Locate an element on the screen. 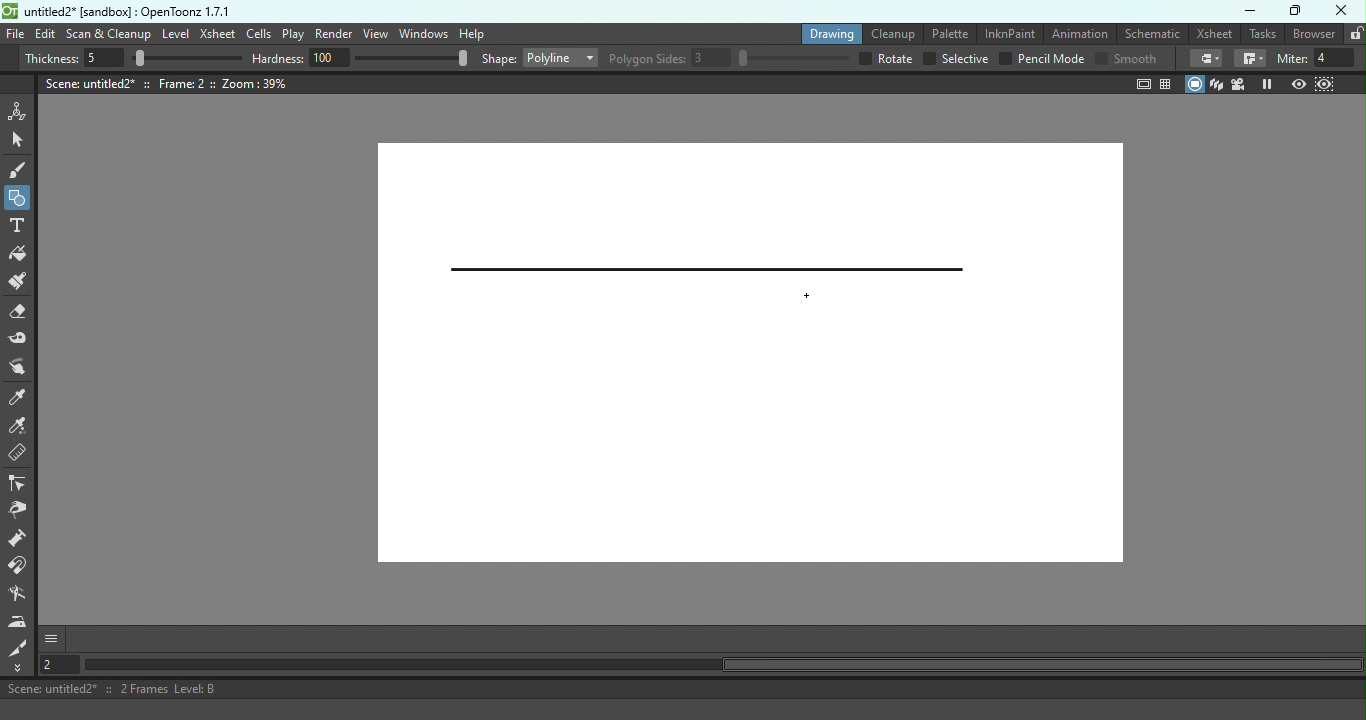 The image size is (1366, 720). Hardness is located at coordinates (361, 59).